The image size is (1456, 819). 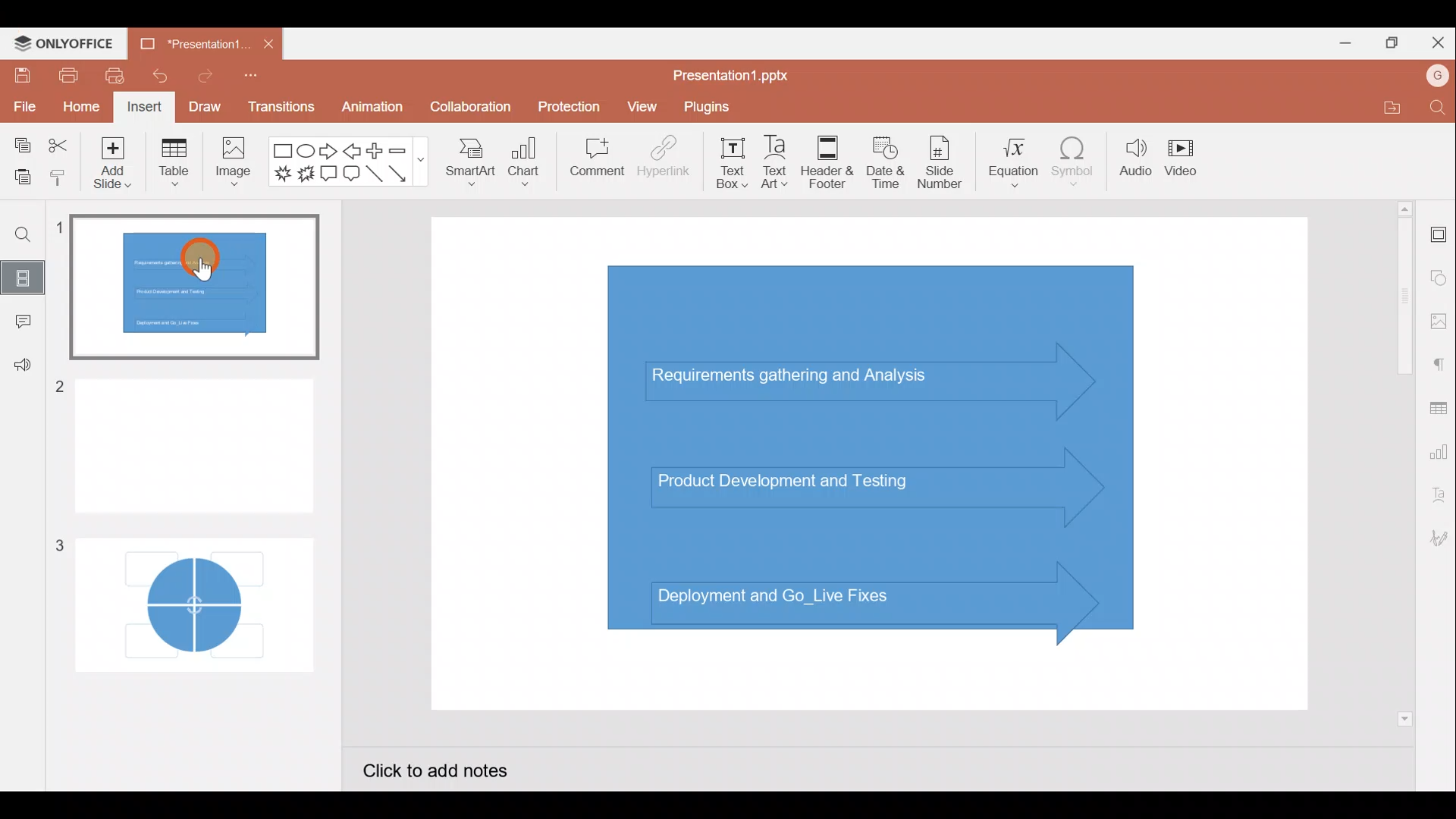 I want to click on Video, so click(x=1187, y=157).